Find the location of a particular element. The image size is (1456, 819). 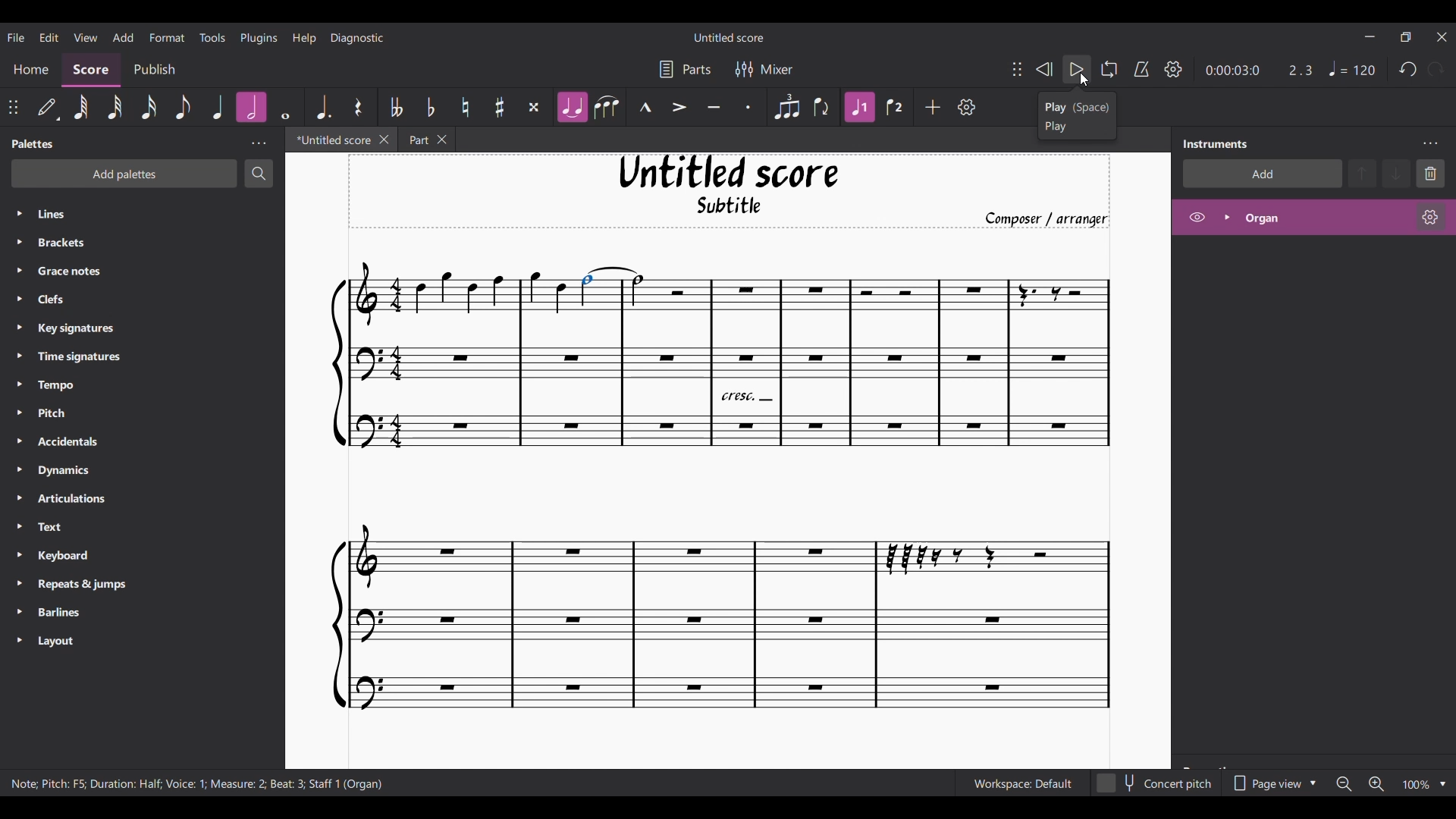

Earlier tab is located at coordinates (421, 139).